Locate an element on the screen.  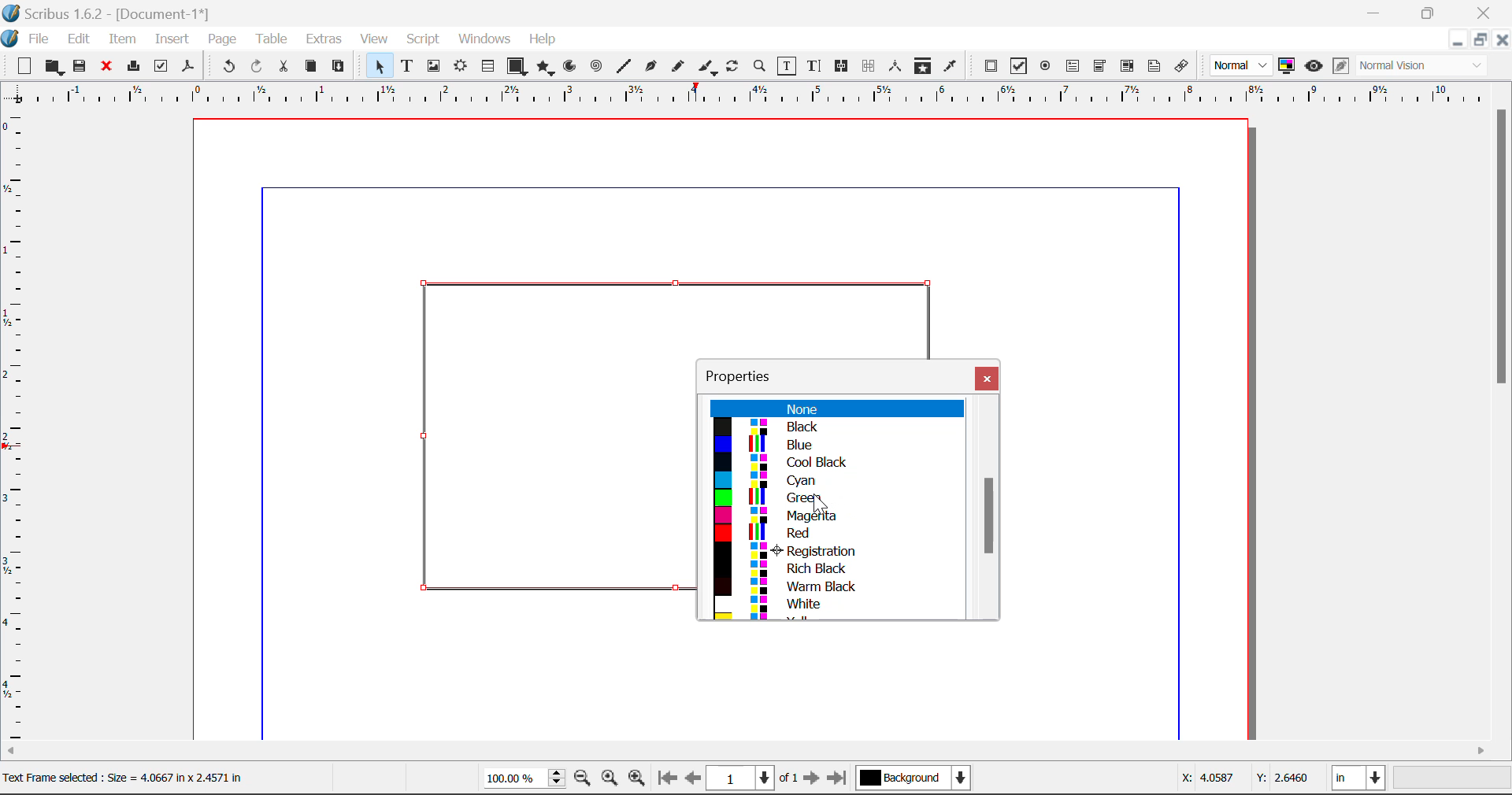
File is located at coordinates (28, 37).